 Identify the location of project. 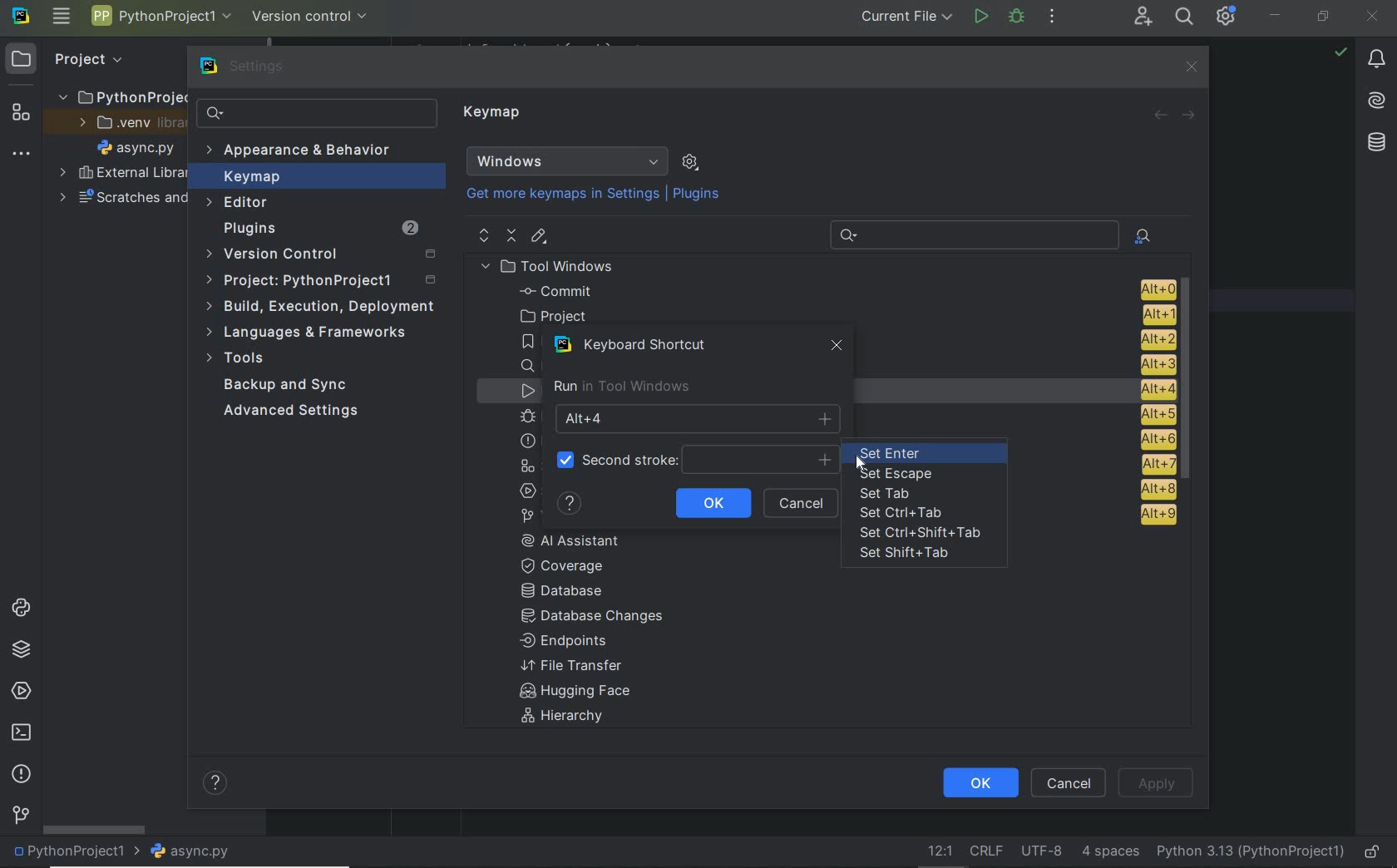
(842, 315).